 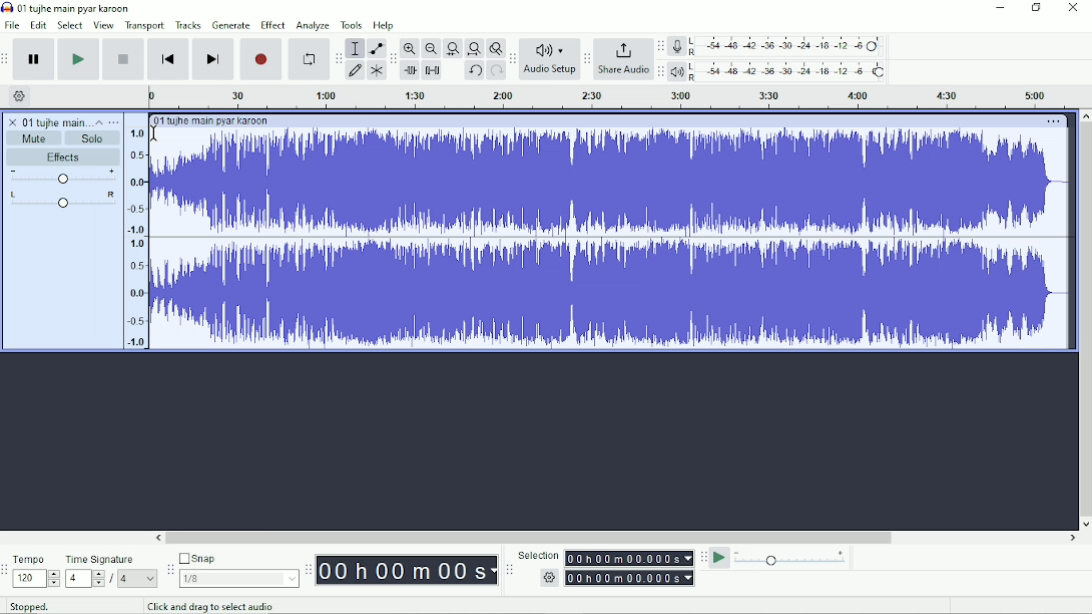 What do you see at coordinates (375, 70) in the screenshot?
I see `Multi-tool` at bounding box center [375, 70].